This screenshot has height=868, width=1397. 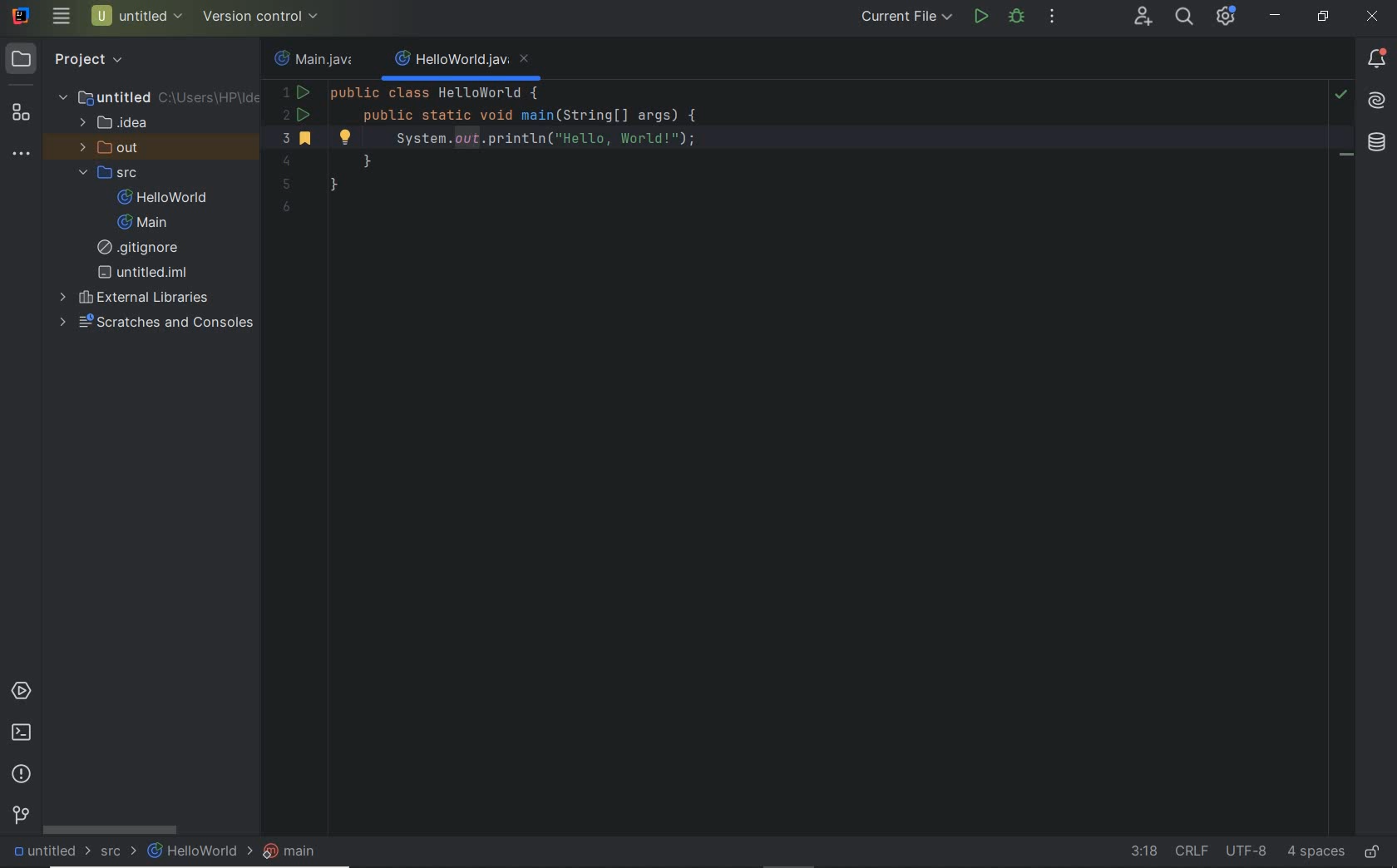 What do you see at coordinates (1340, 94) in the screenshot?
I see `no problem to highlight` at bounding box center [1340, 94].